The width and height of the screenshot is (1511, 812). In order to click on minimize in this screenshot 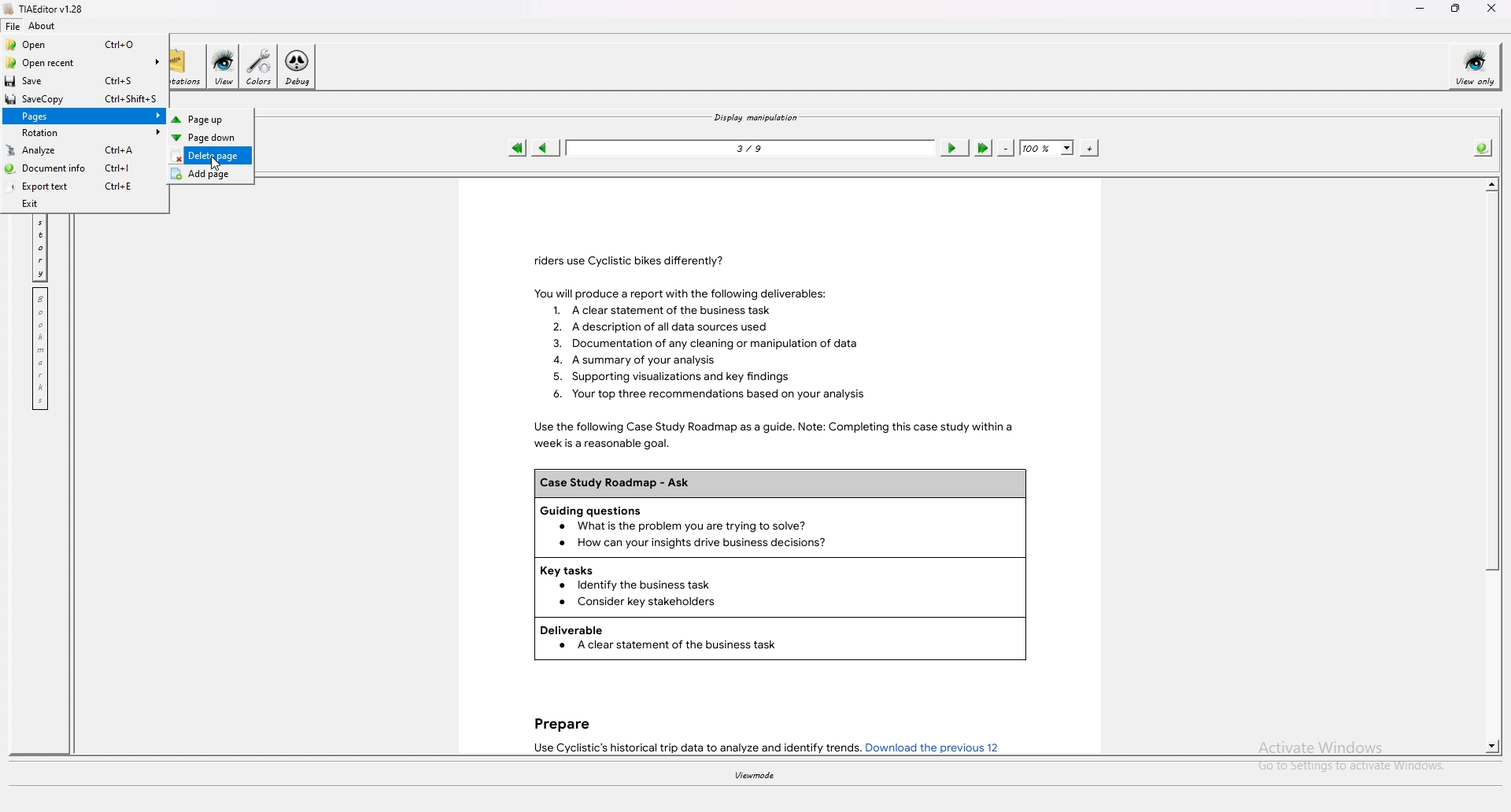, I will do `click(1420, 9)`.